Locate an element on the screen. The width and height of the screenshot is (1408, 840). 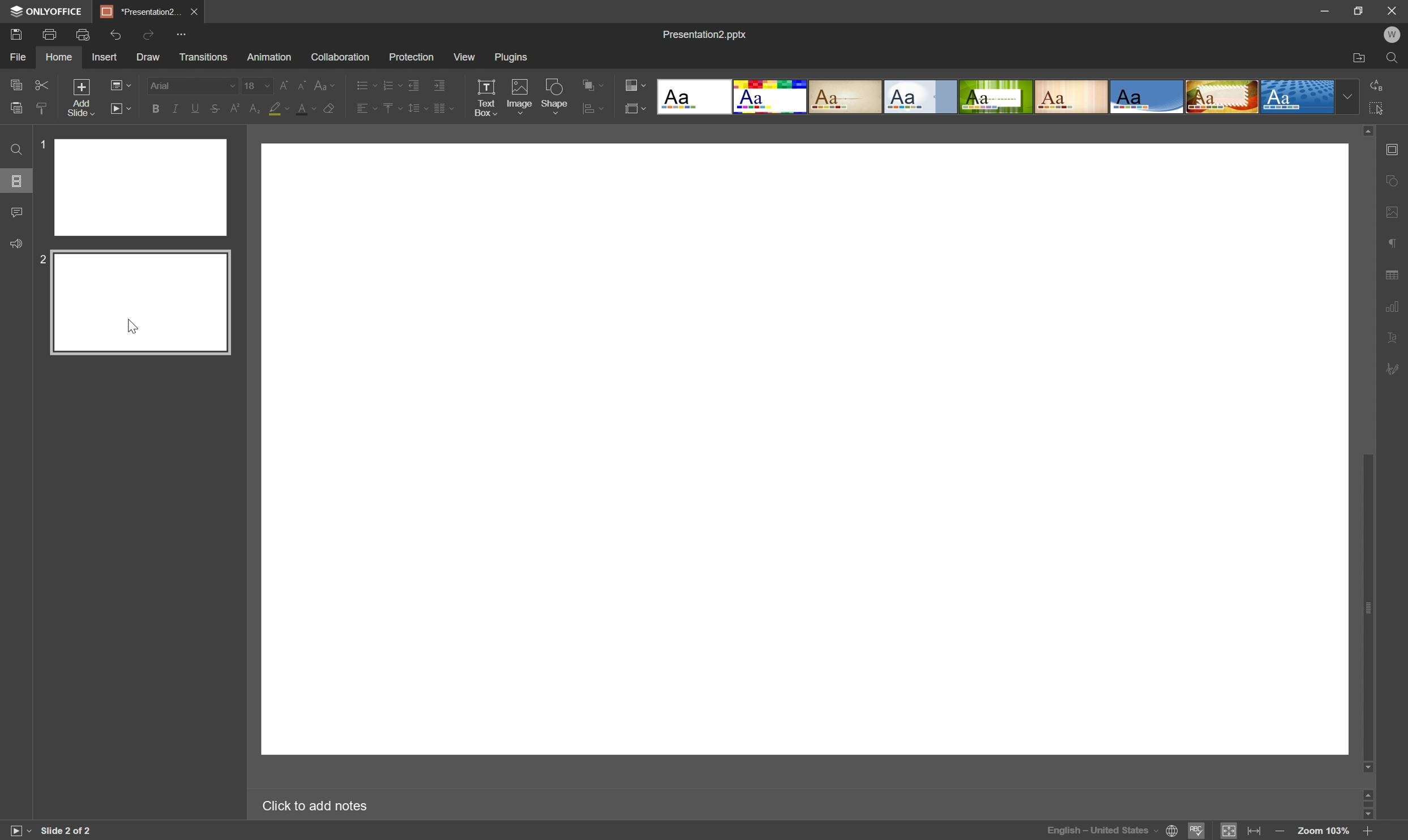
Shape settings is located at coordinates (1395, 179).